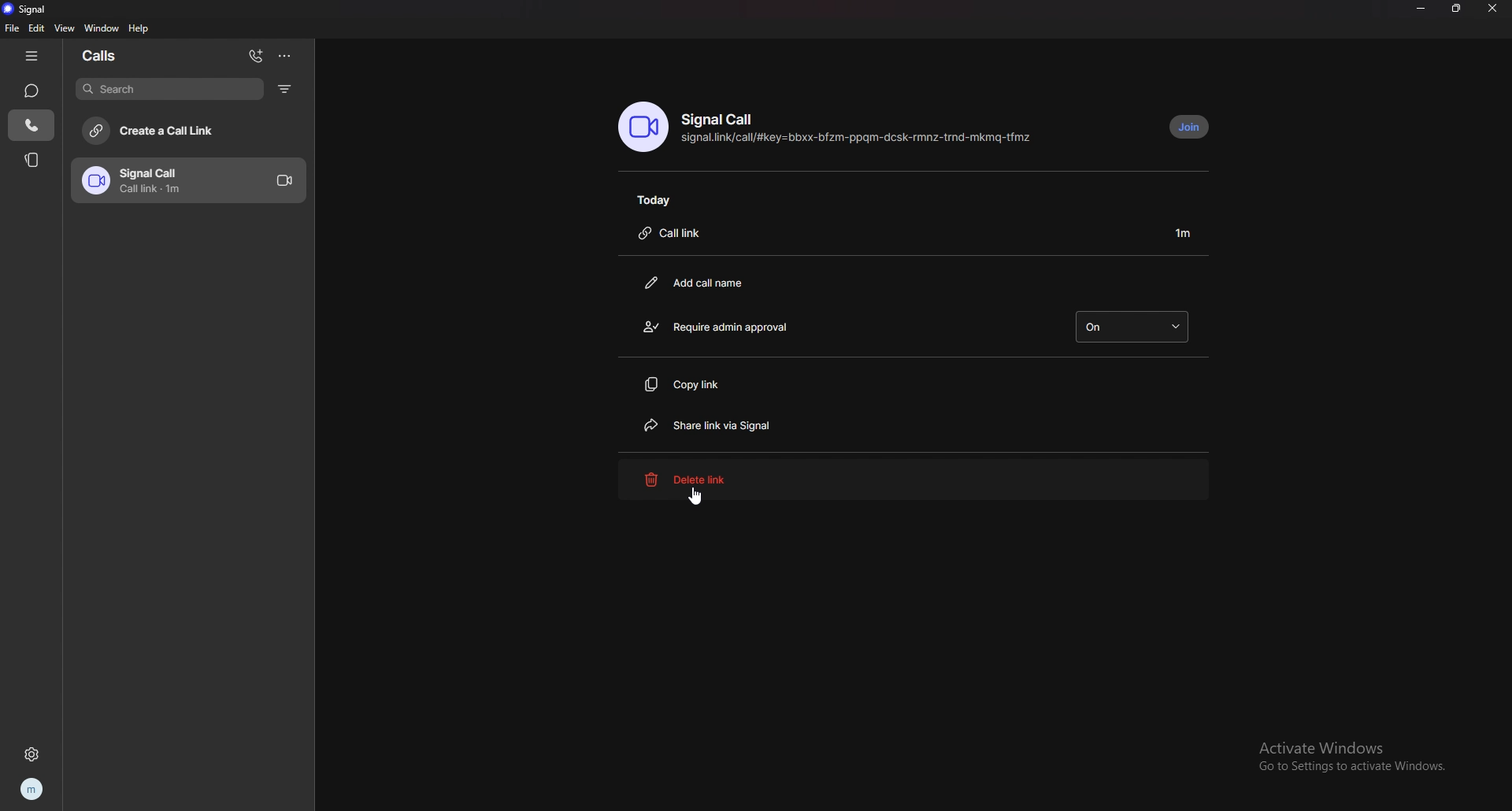 This screenshot has height=811, width=1512. I want to click on profile, so click(34, 789).